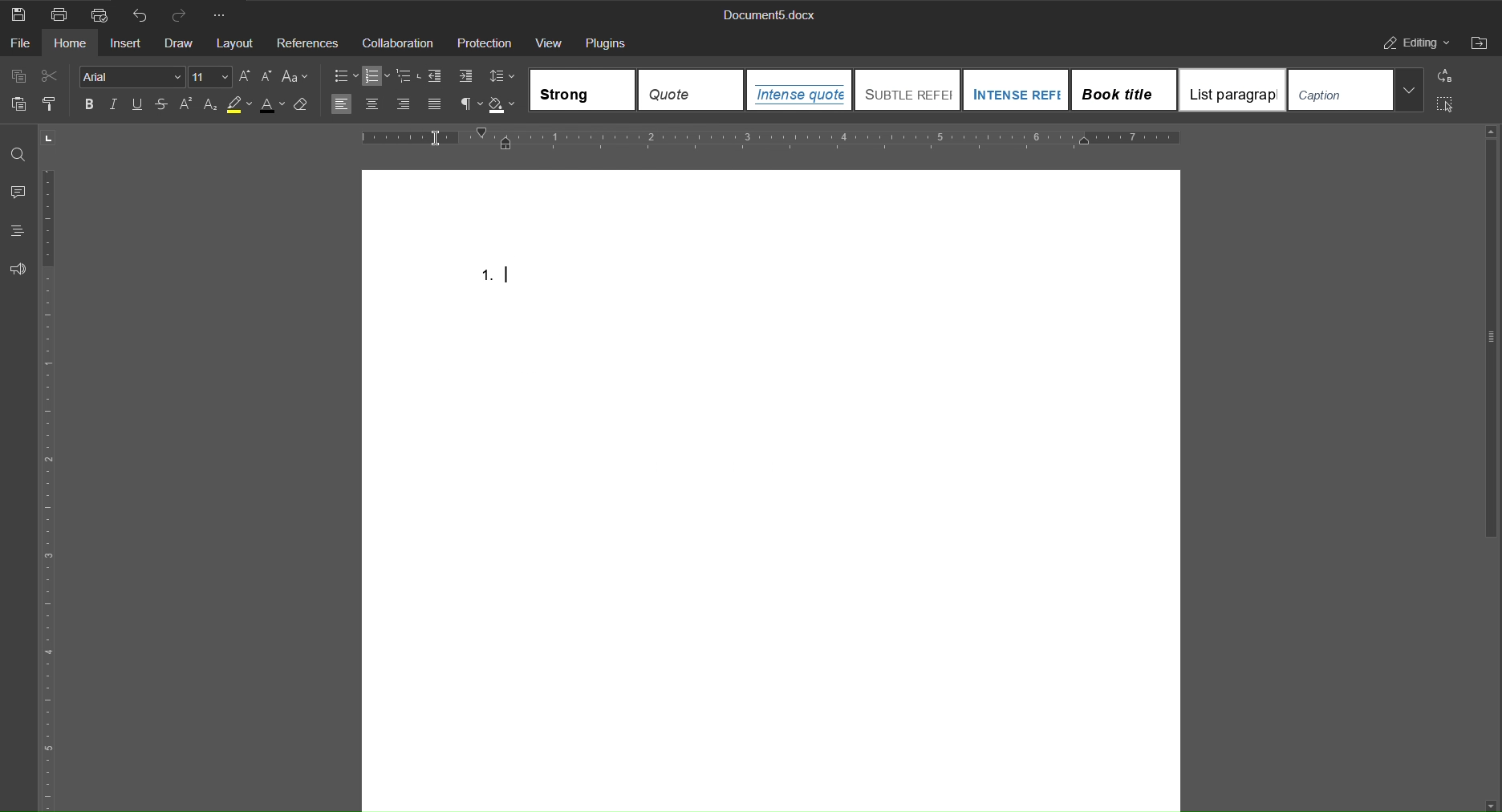 The image size is (1502, 812). What do you see at coordinates (692, 91) in the screenshot?
I see `Quote` at bounding box center [692, 91].